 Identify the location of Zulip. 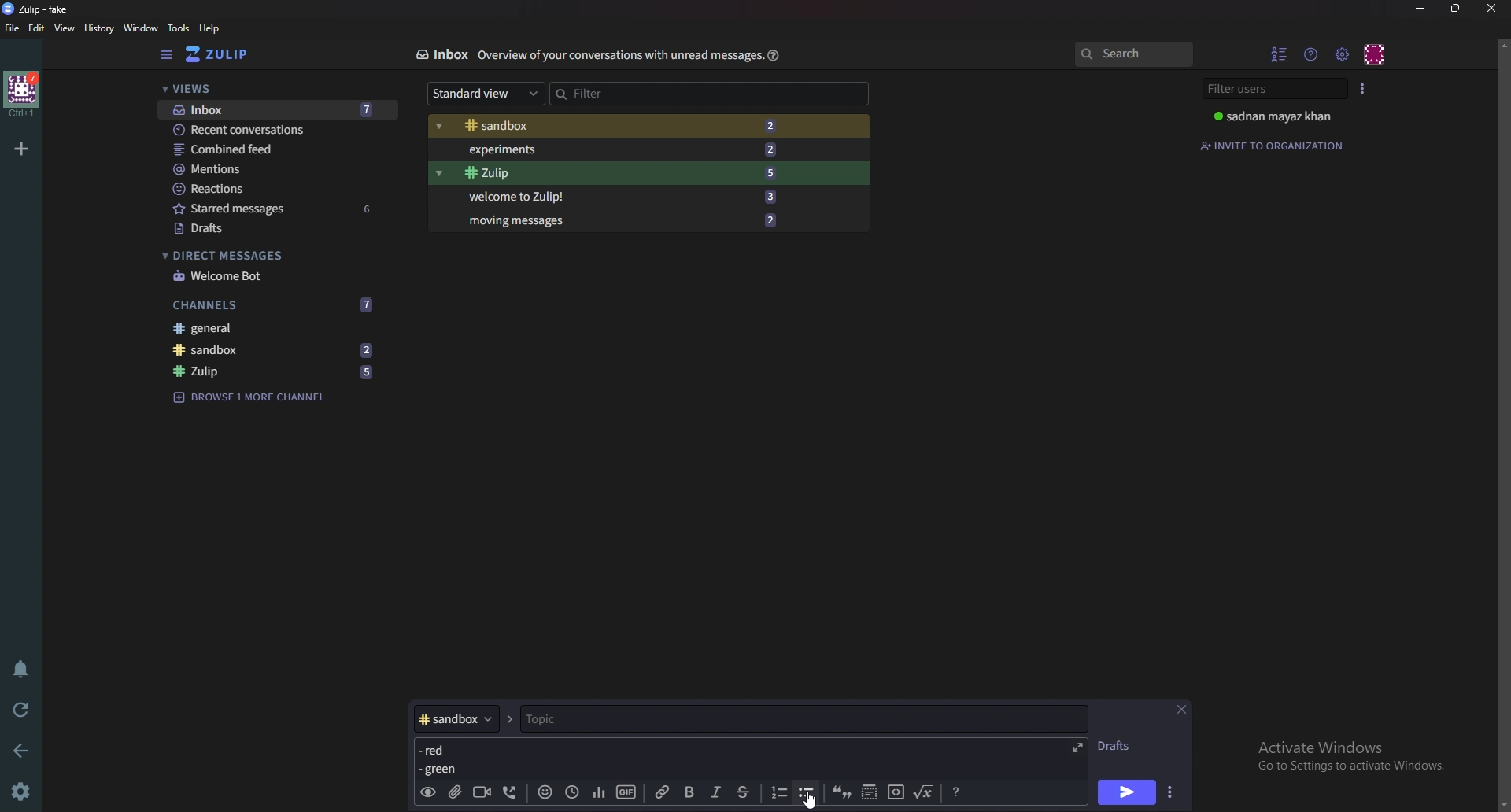
(275, 372).